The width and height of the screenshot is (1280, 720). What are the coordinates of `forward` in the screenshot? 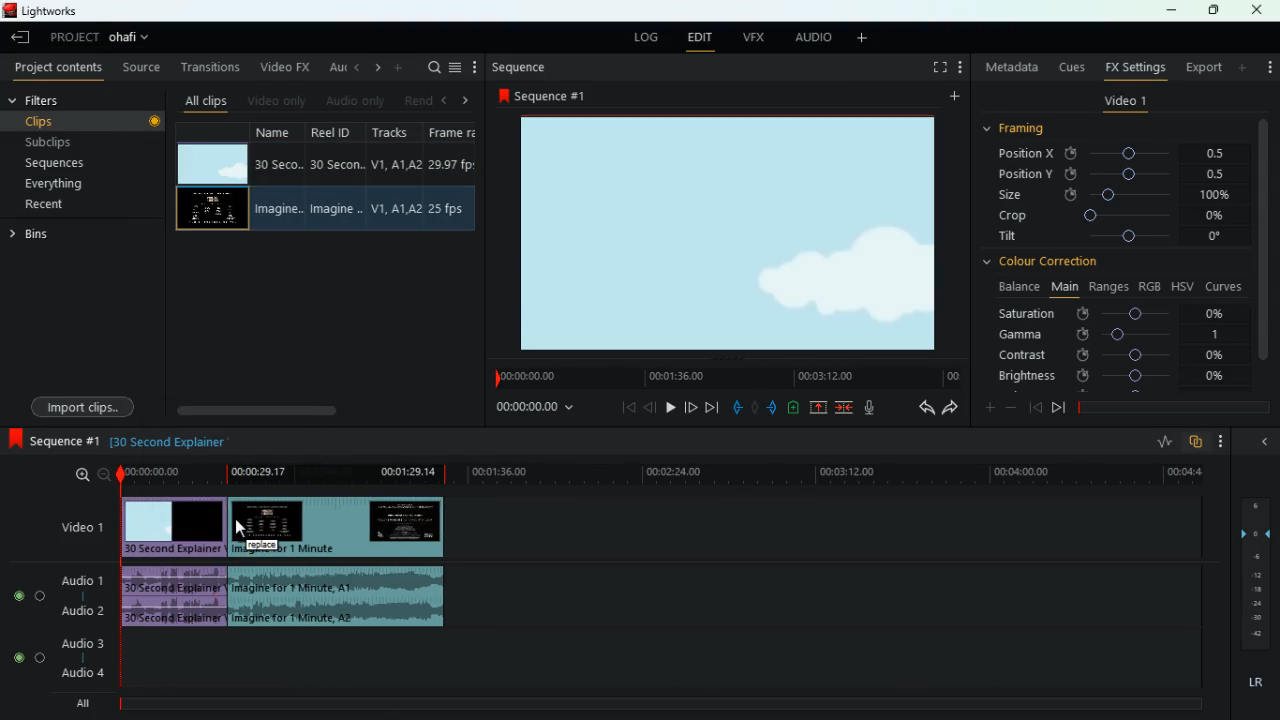 It's located at (950, 409).